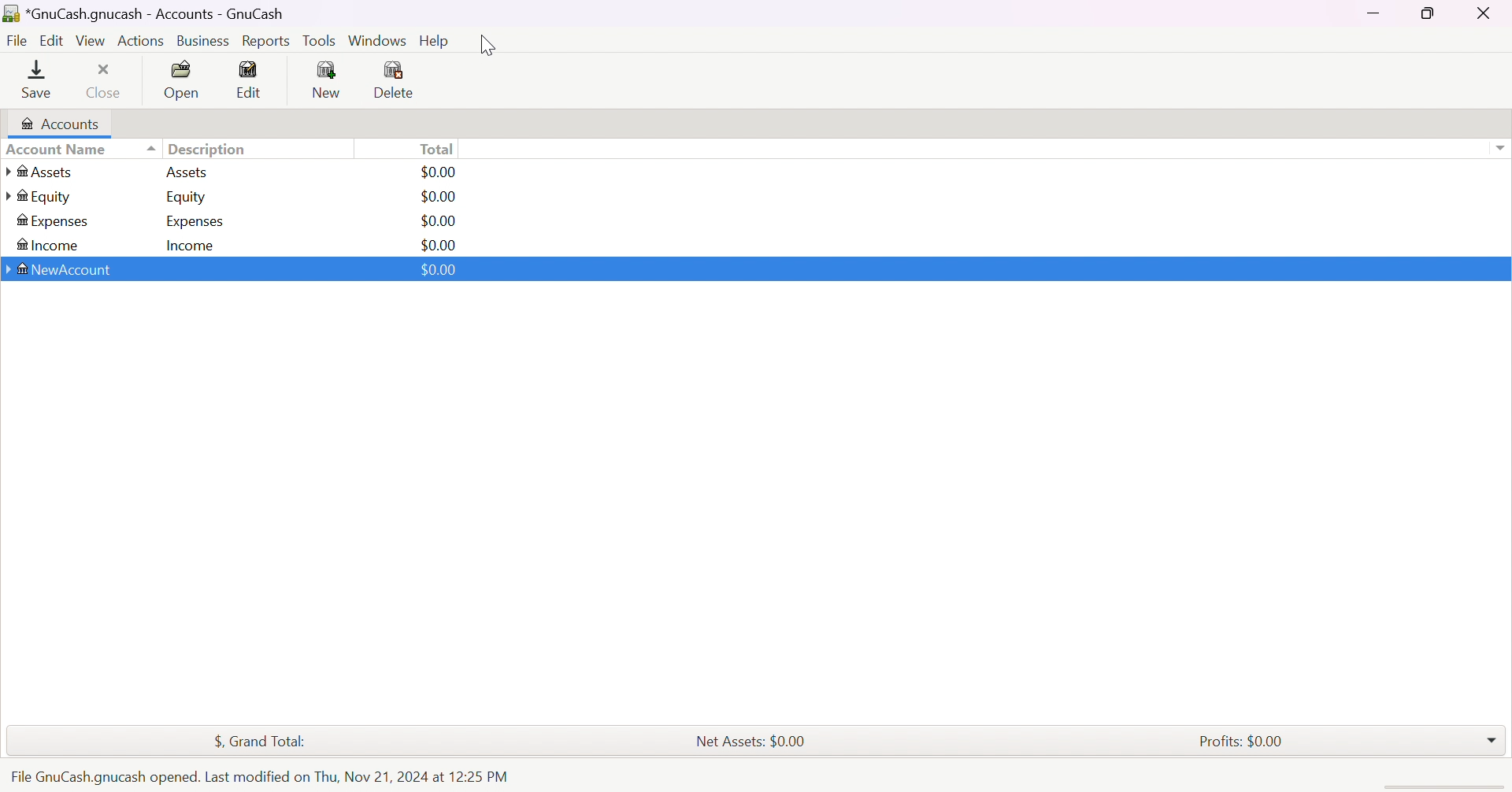 Image resolution: width=1512 pixels, height=792 pixels. What do you see at coordinates (258, 776) in the screenshot?
I see `File GnuCash opened. Last modified on Thu, Nov 21, 2024 at 12:25 PM` at bounding box center [258, 776].